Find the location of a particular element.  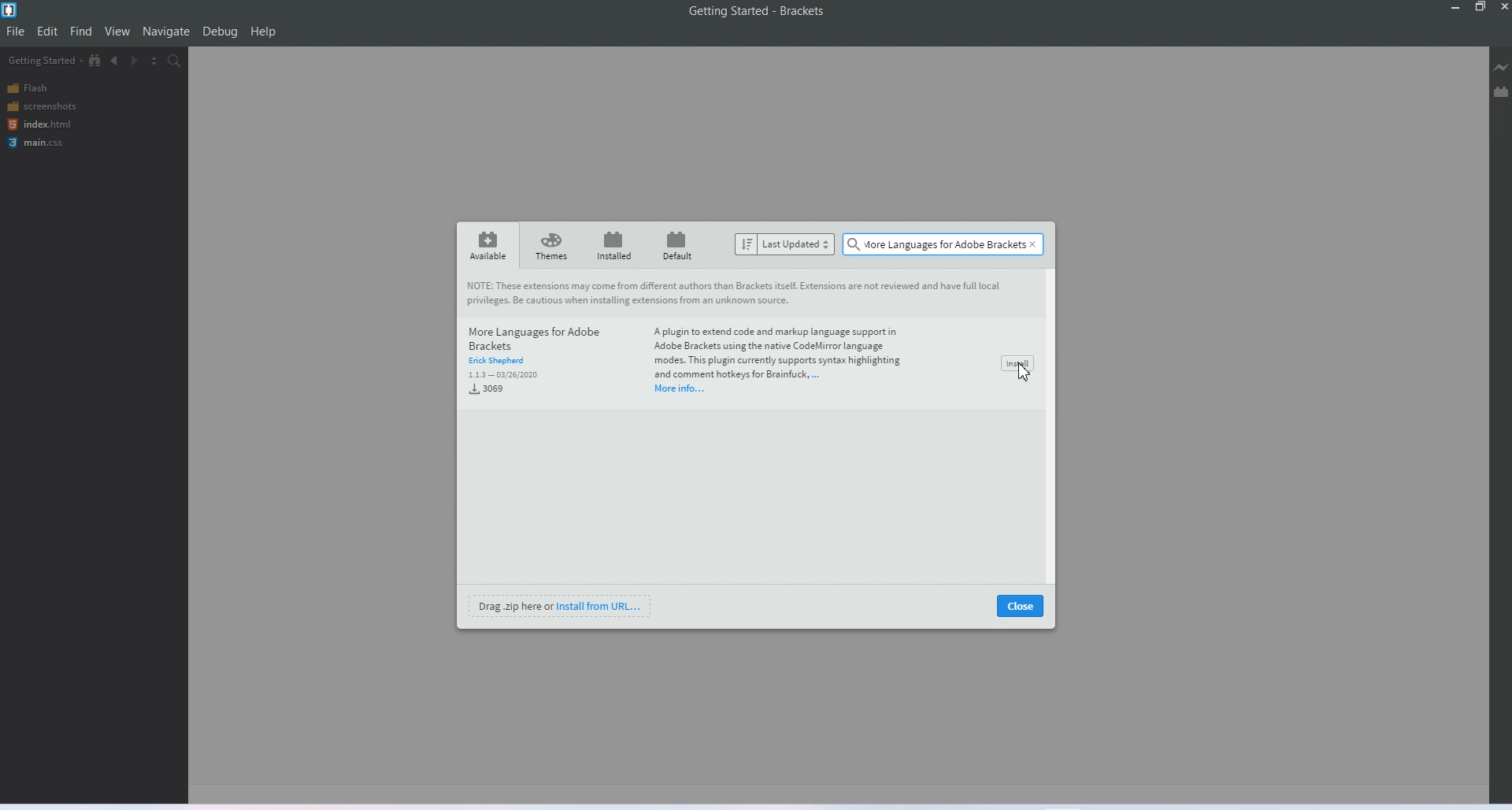

Show in the file tree is located at coordinates (96, 60).